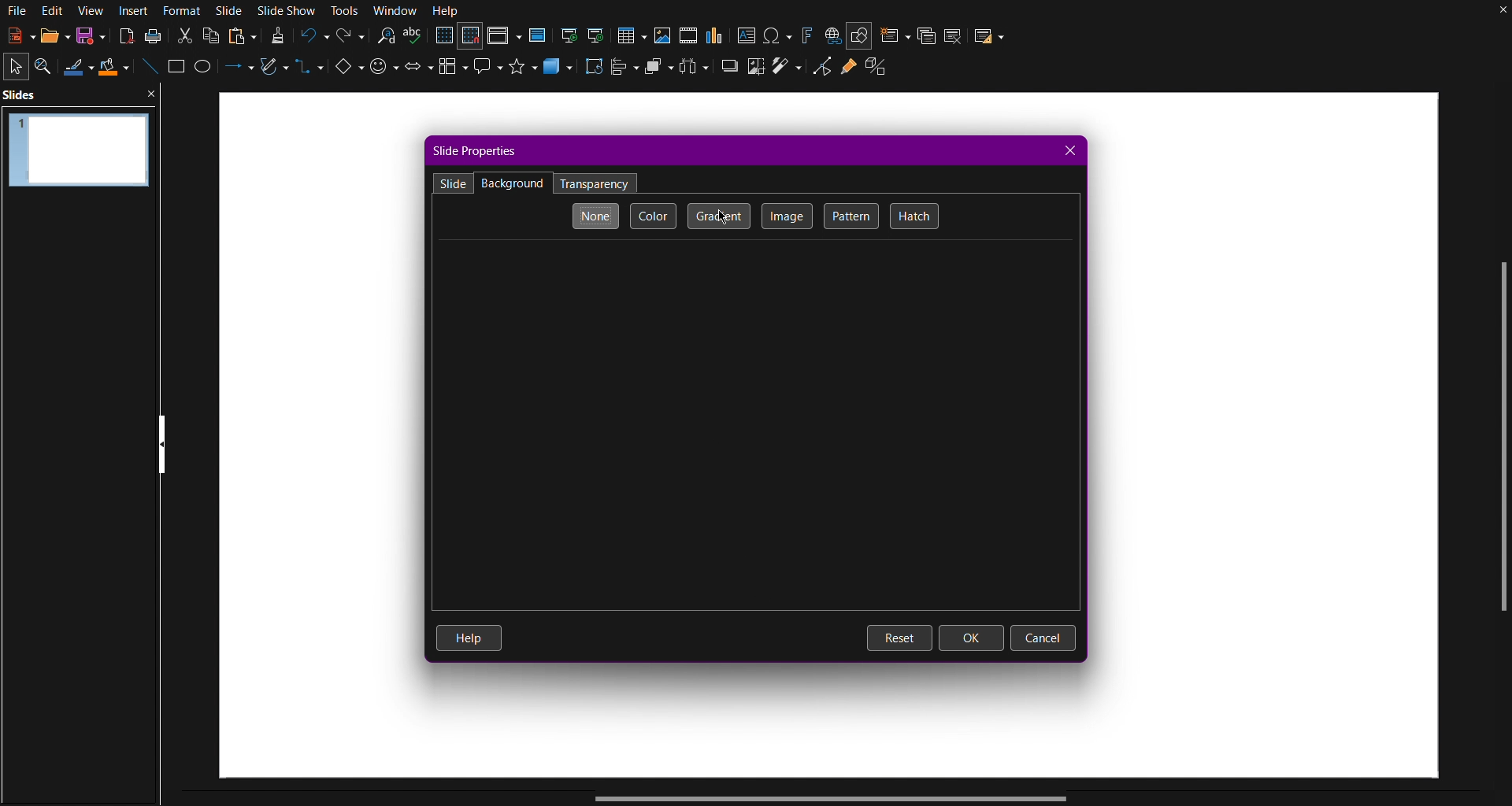  I want to click on Slide Layout, so click(991, 34).